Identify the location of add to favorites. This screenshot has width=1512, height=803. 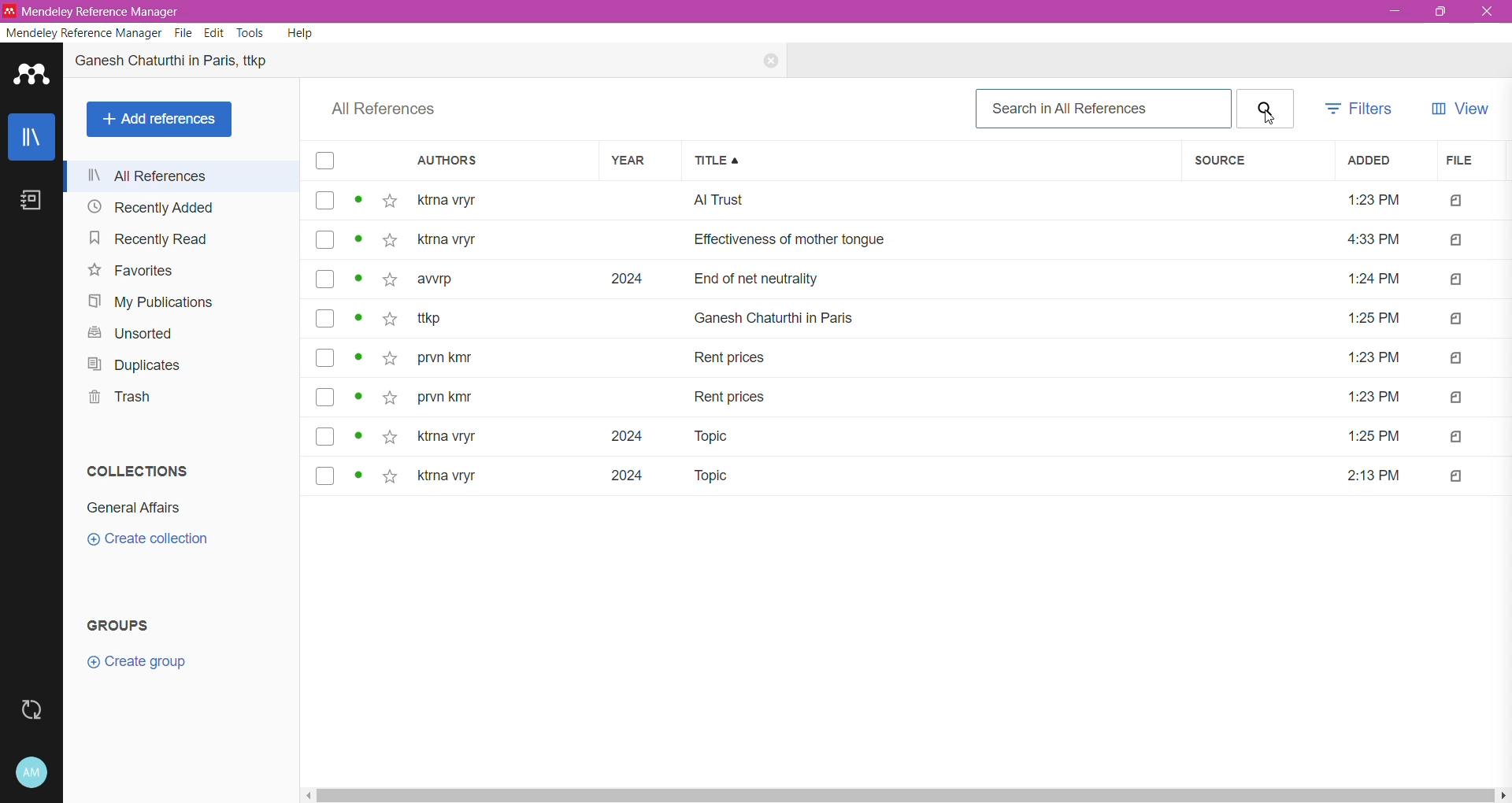
(389, 397).